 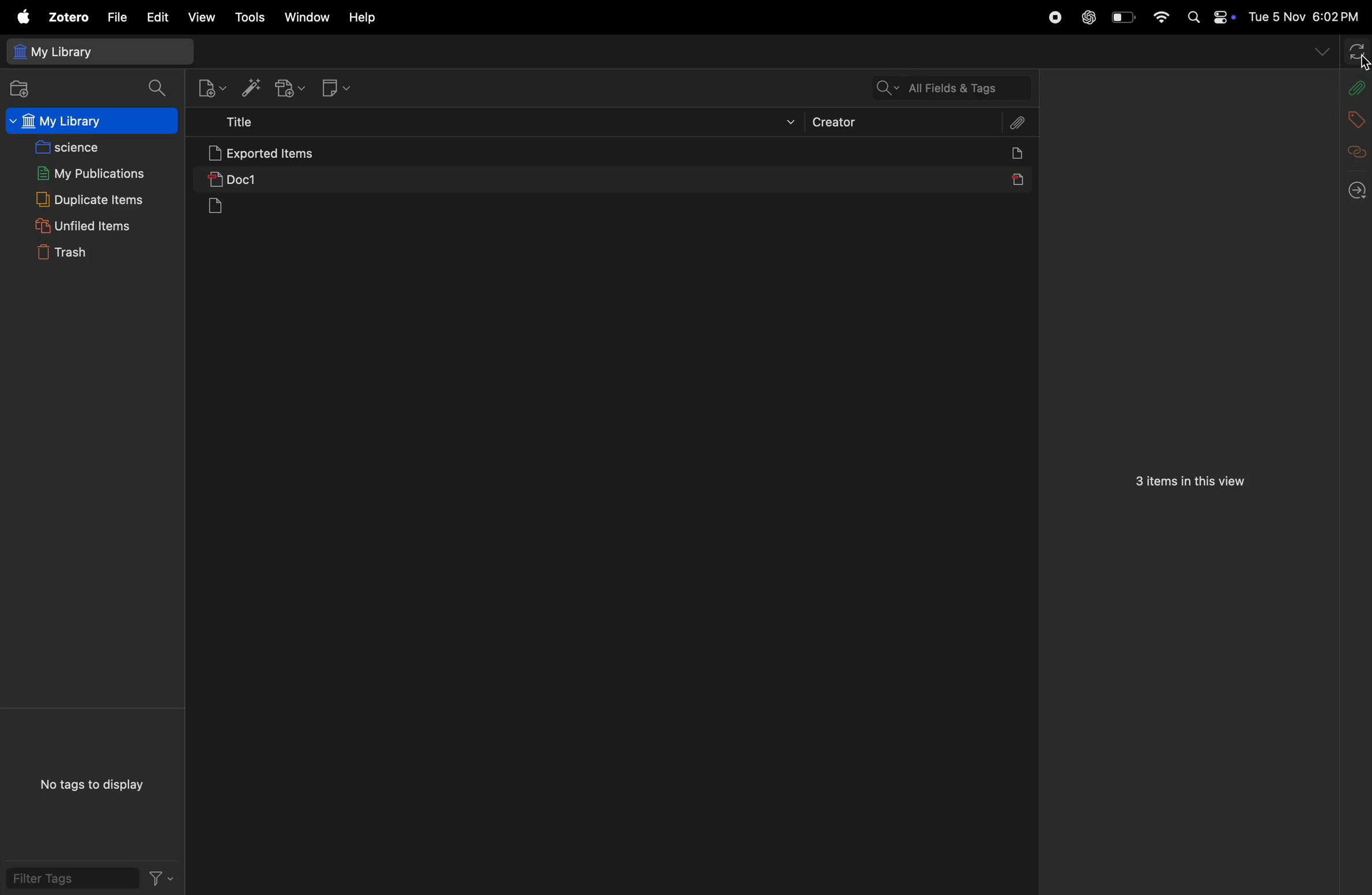 I want to click on science, so click(x=72, y=147).